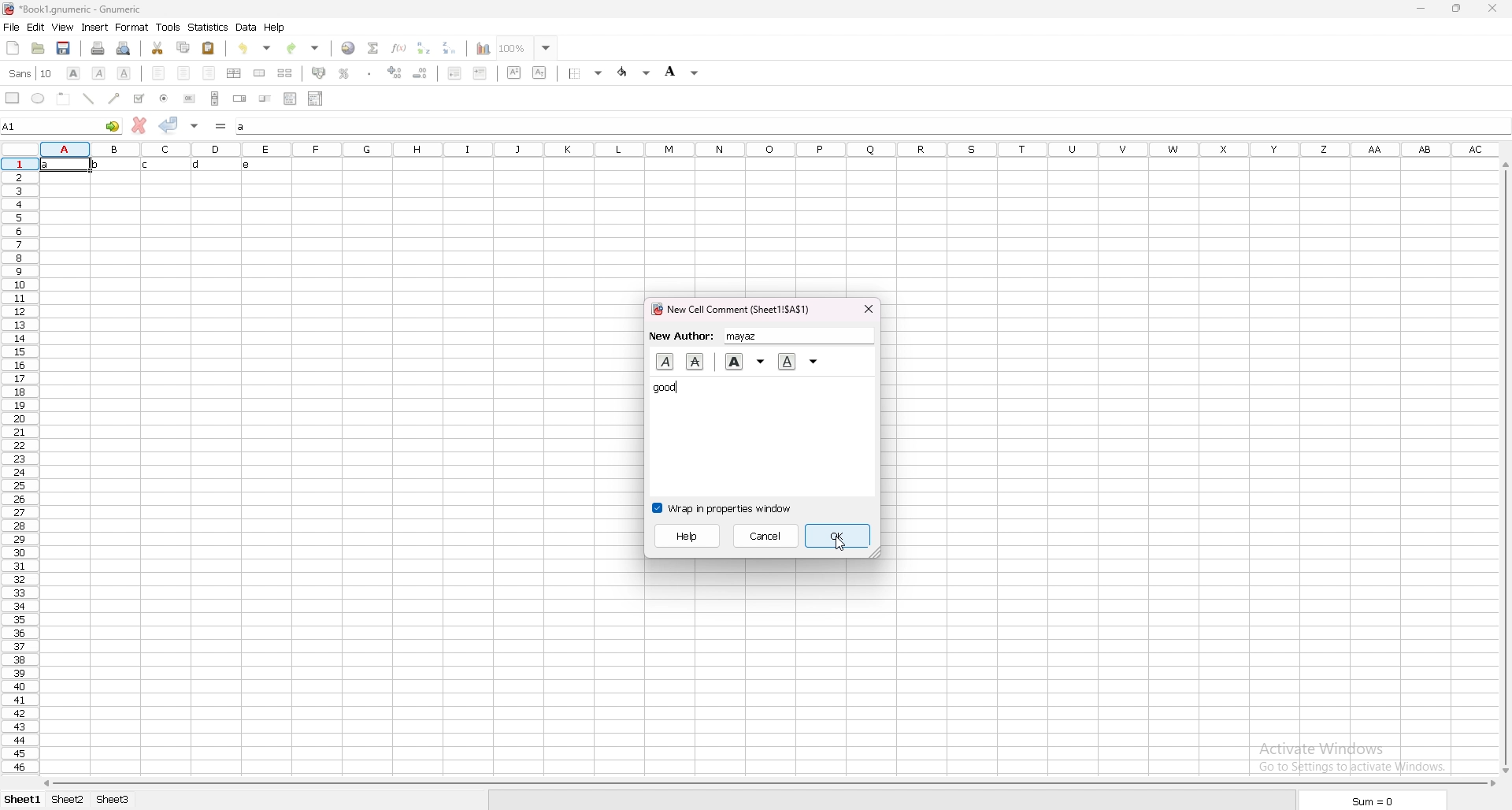  What do you see at coordinates (139, 98) in the screenshot?
I see `tickbox` at bounding box center [139, 98].